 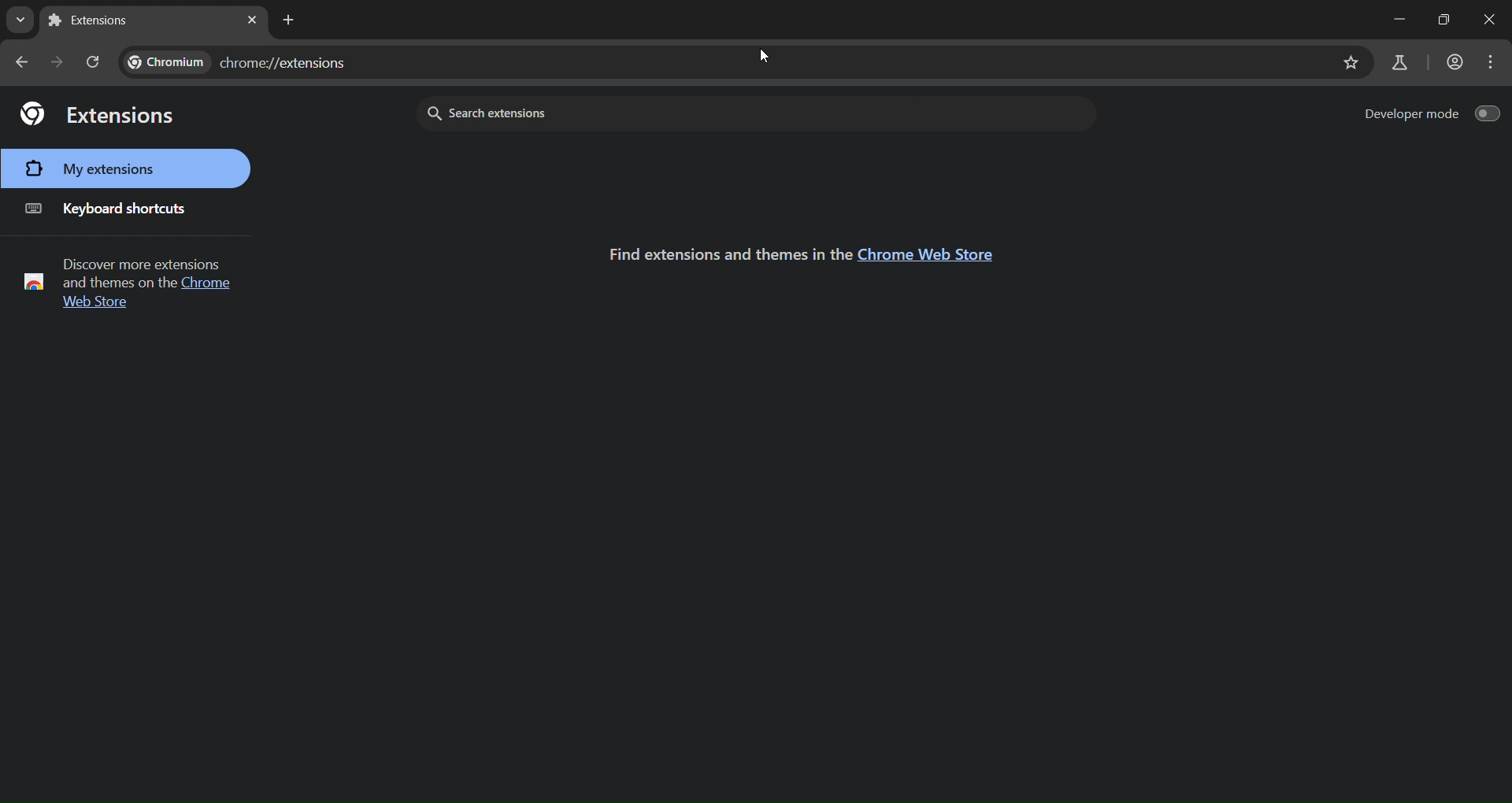 I want to click on Find extensions and themes in the Chrome Web Store, so click(x=720, y=252).